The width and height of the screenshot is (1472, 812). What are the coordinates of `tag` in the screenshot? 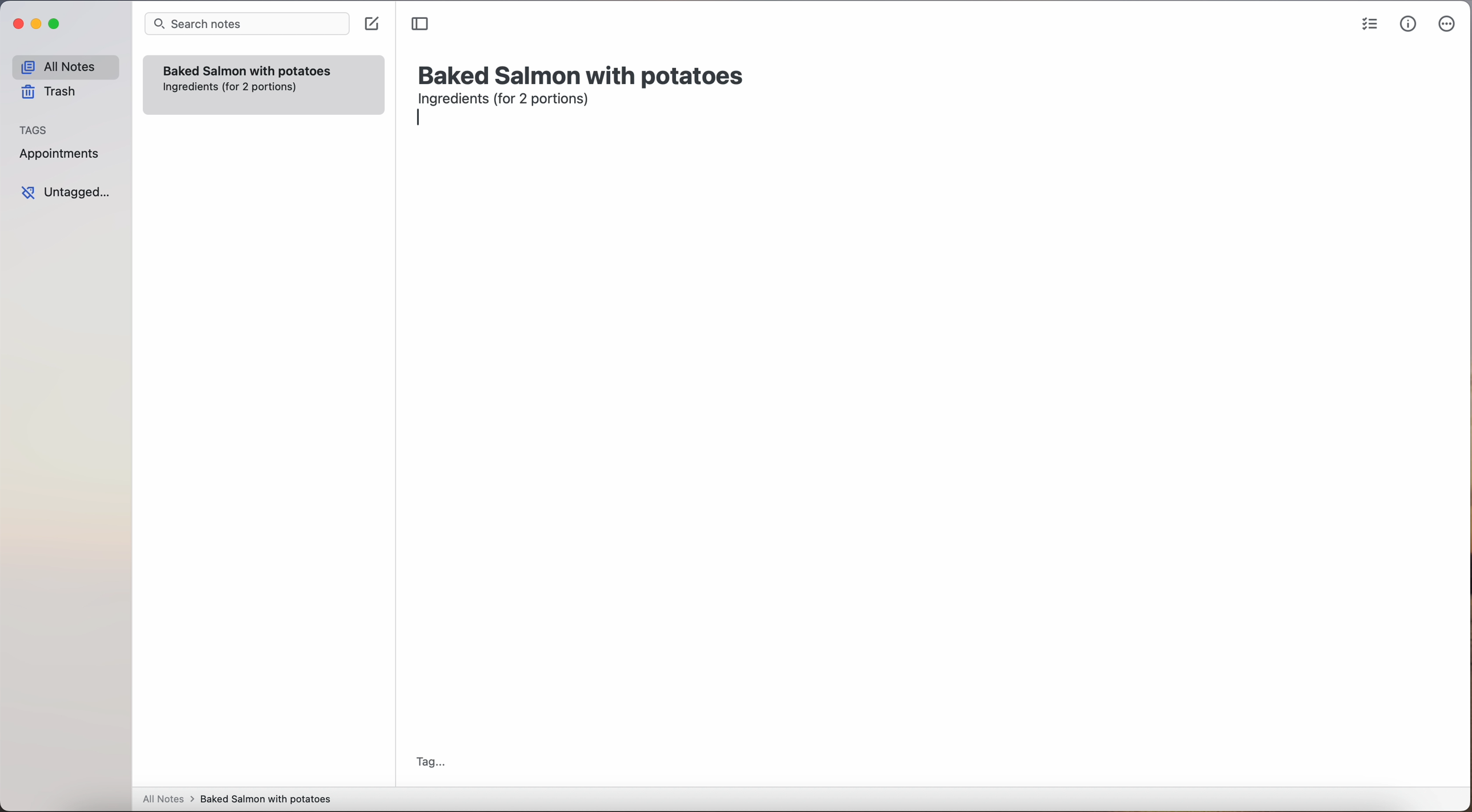 It's located at (430, 763).